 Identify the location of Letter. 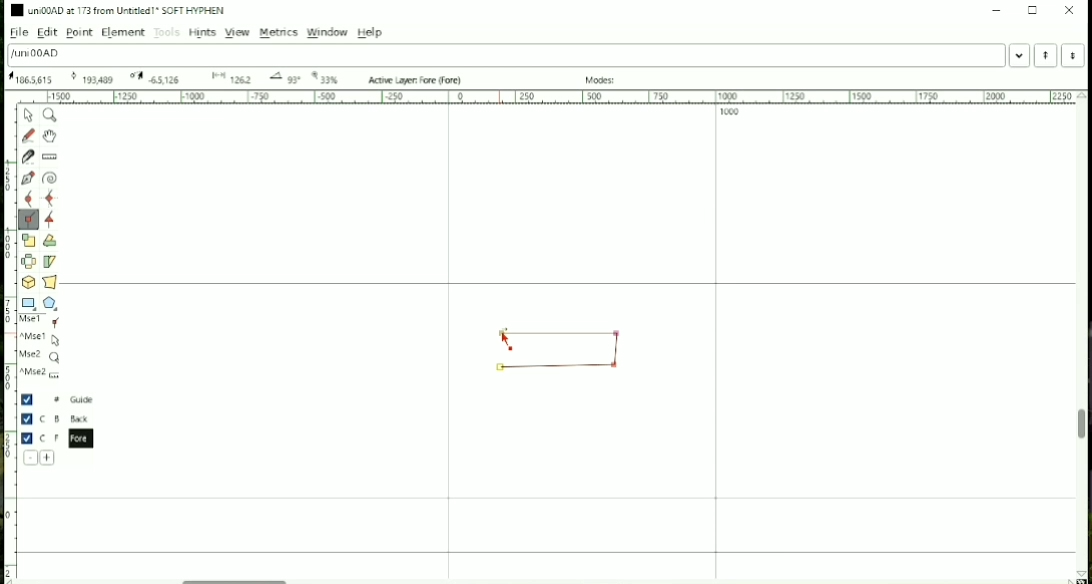
(36, 54).